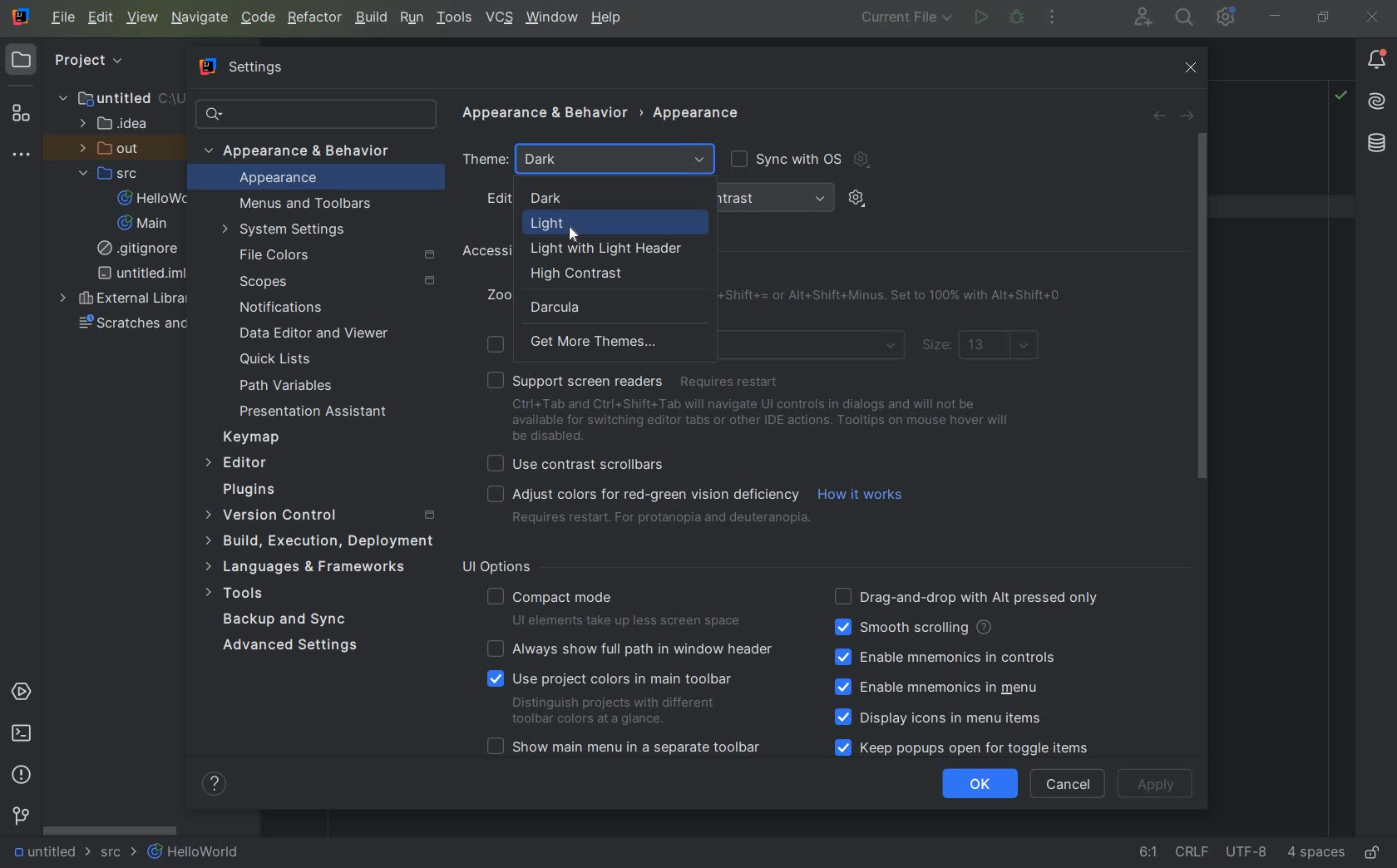  I want to click on CODE WITH ME, so click(1144, 17).